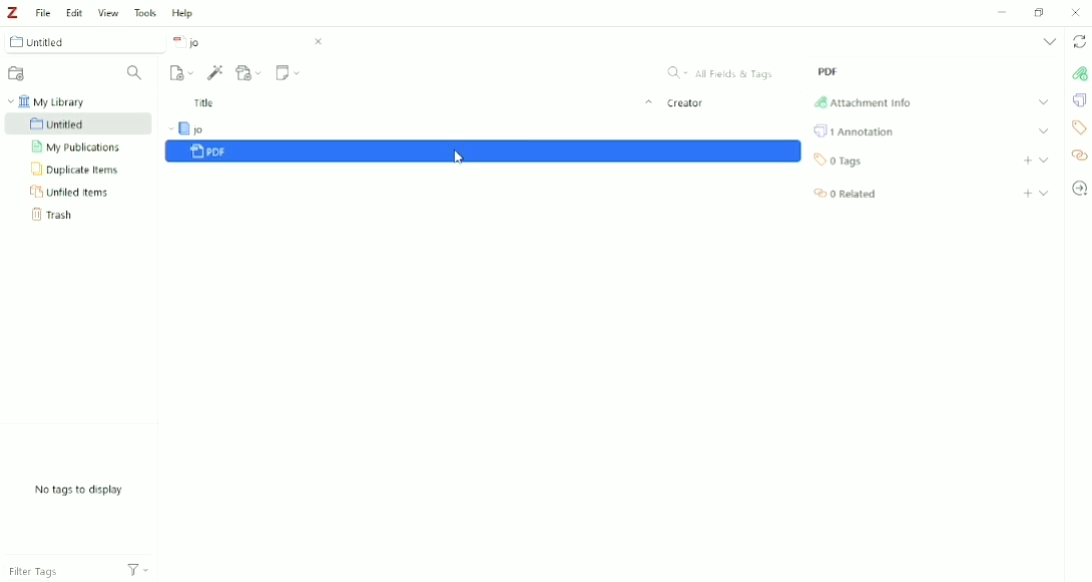 This screenshot has width=1092, height=582. Describe the element at coordinates (1076, 12) in the screenshot. I see `Close` at that location.